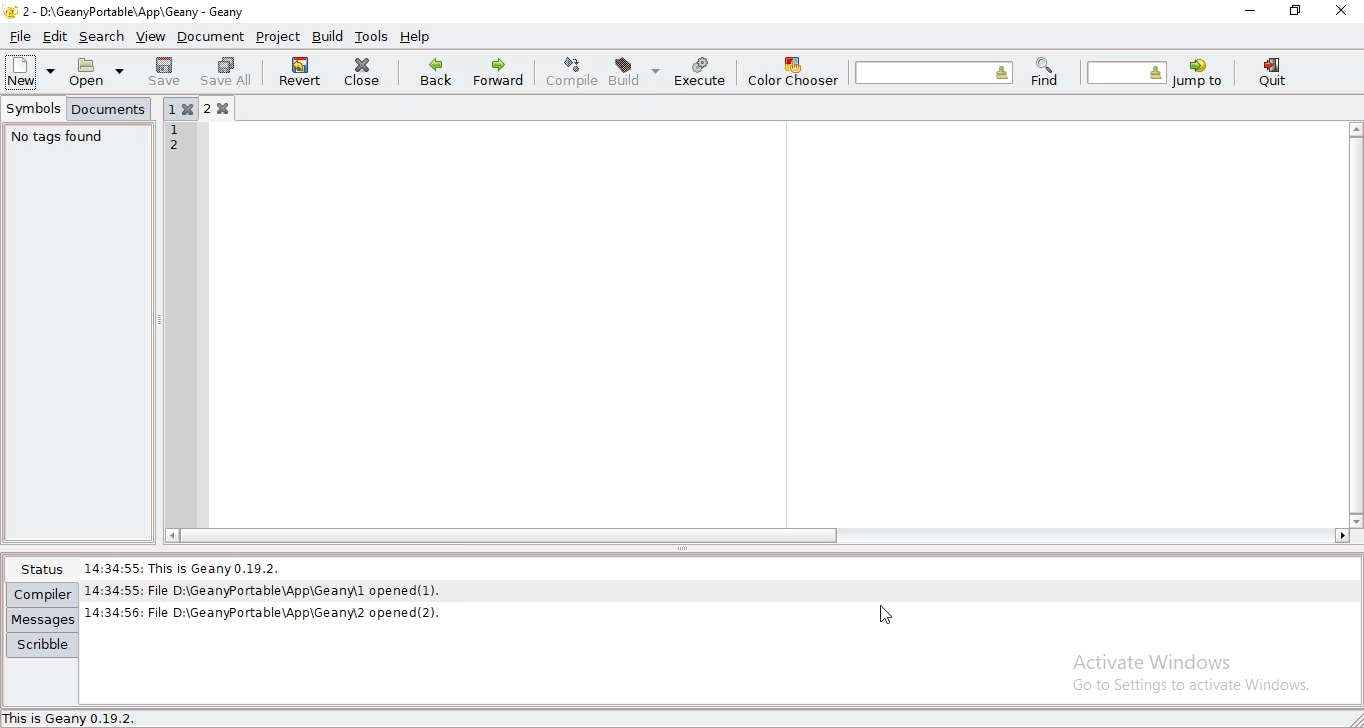 The image size is (1364, 728). Describe the element at coordinates (330, 37) in the screenshot. I see `build` at that location.